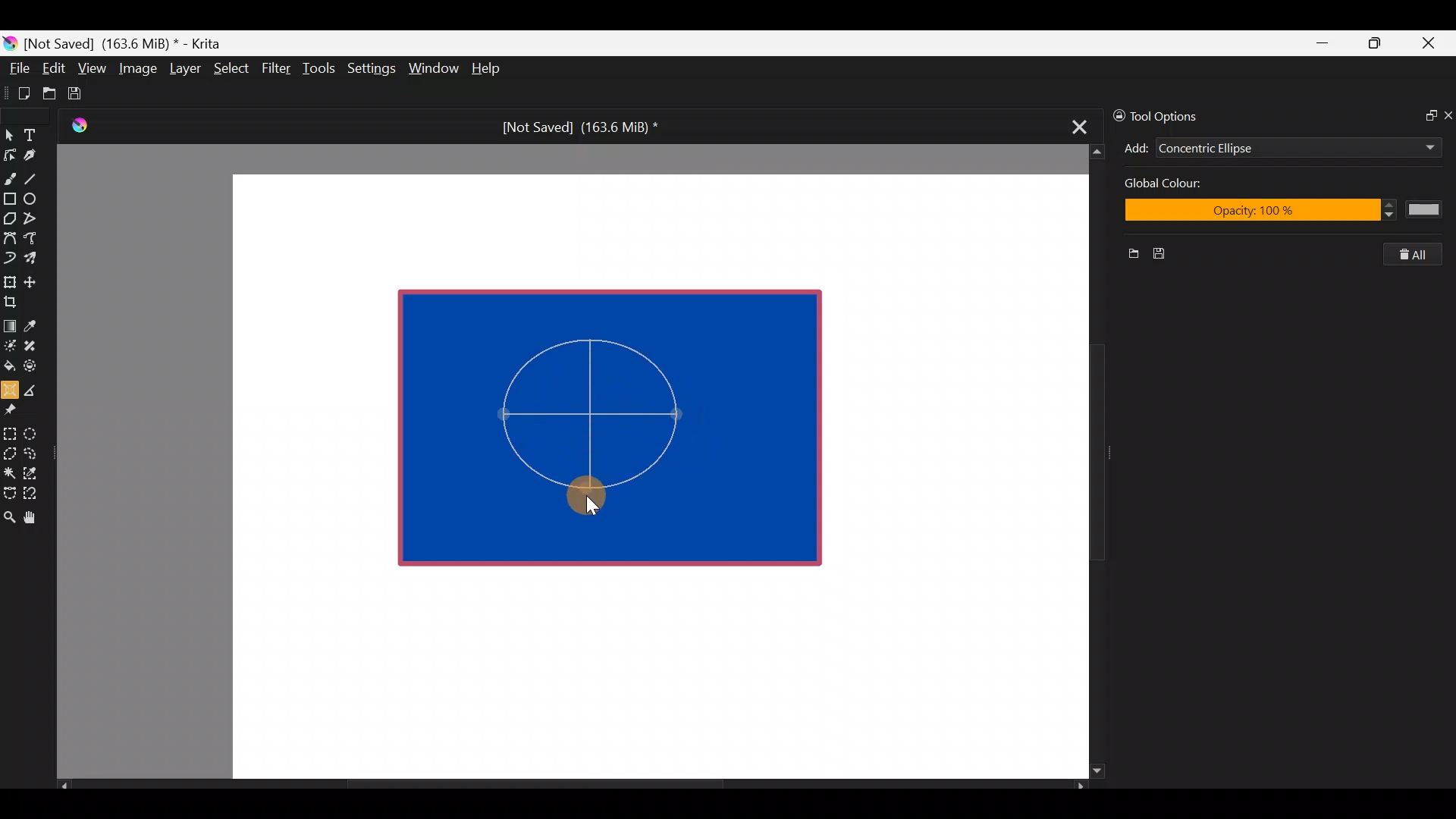 The image size is (1456, 819). What do you see at coordinates (1134, 146) in the screenshot?
I see `Add concentric ellipse` at bounding box center [1134, 146].